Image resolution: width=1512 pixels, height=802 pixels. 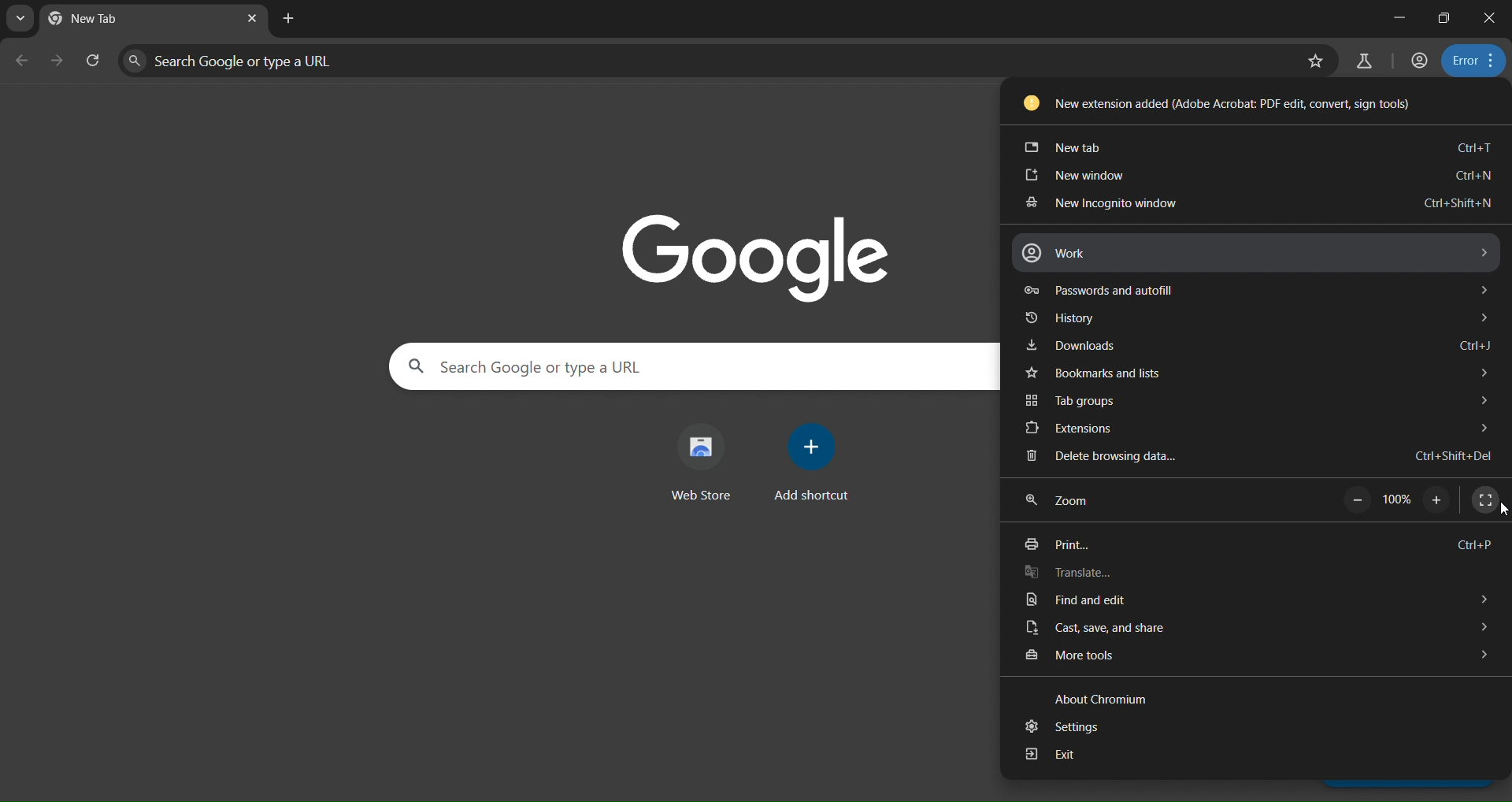 What do you see at coordinates (254, 18) in the screenshot?
I see `close tab` at bounding box center [254, 18].